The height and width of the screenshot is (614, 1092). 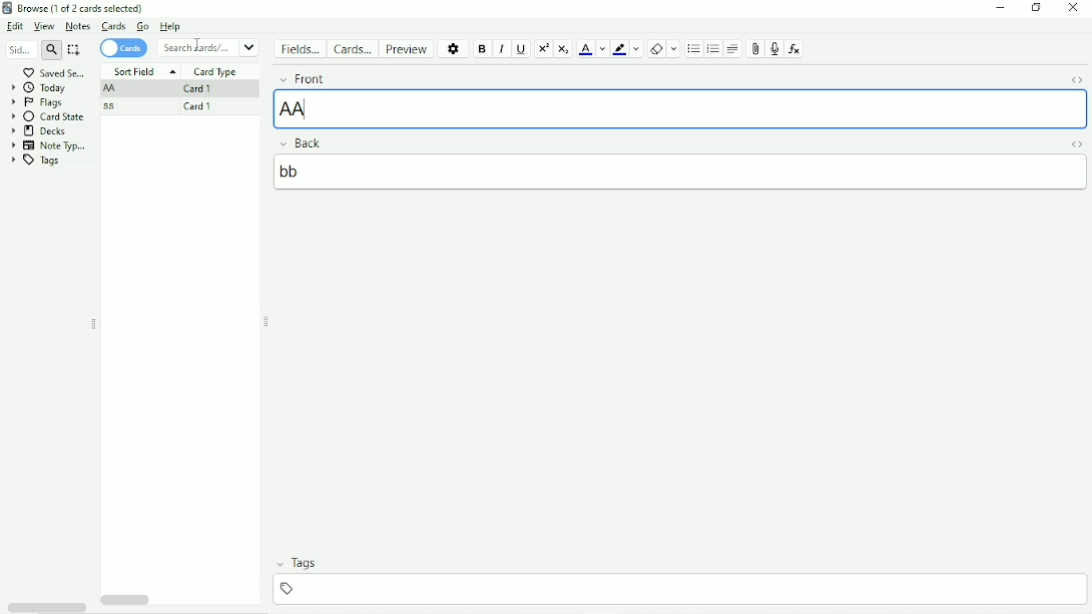 I want to click on Preview, so click(x=411, y=49).